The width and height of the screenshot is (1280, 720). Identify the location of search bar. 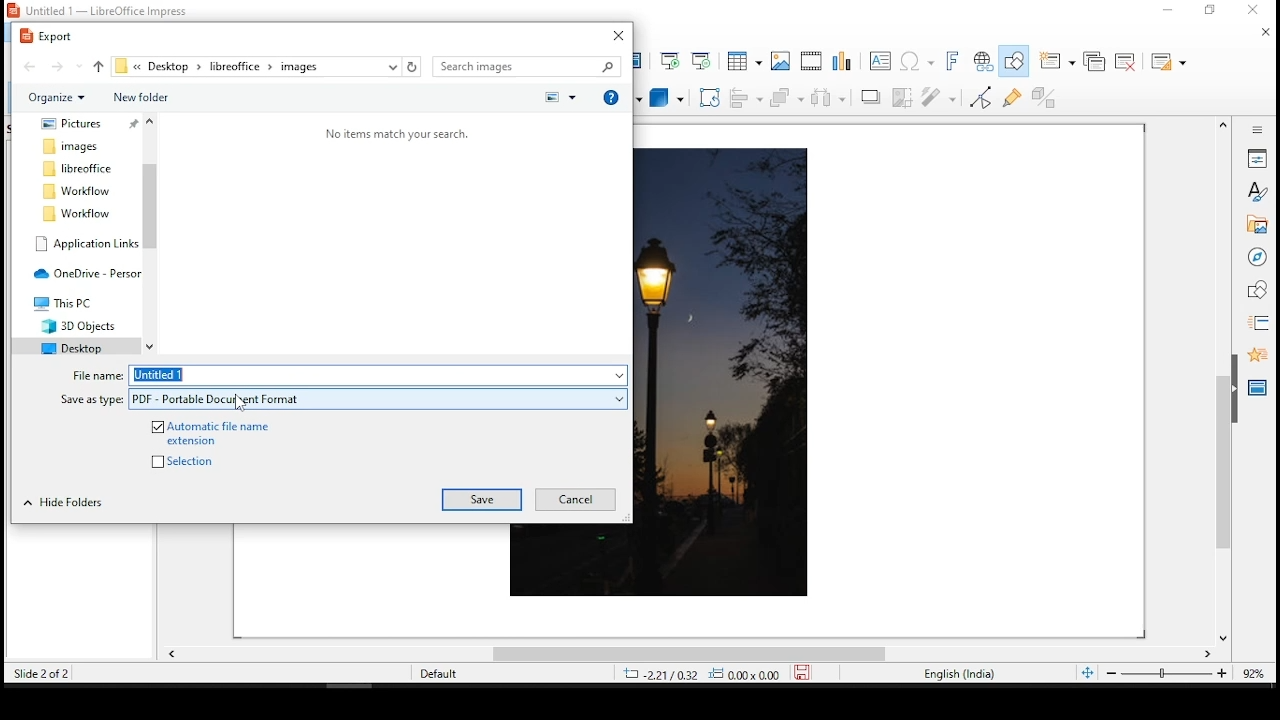
(526, 67).